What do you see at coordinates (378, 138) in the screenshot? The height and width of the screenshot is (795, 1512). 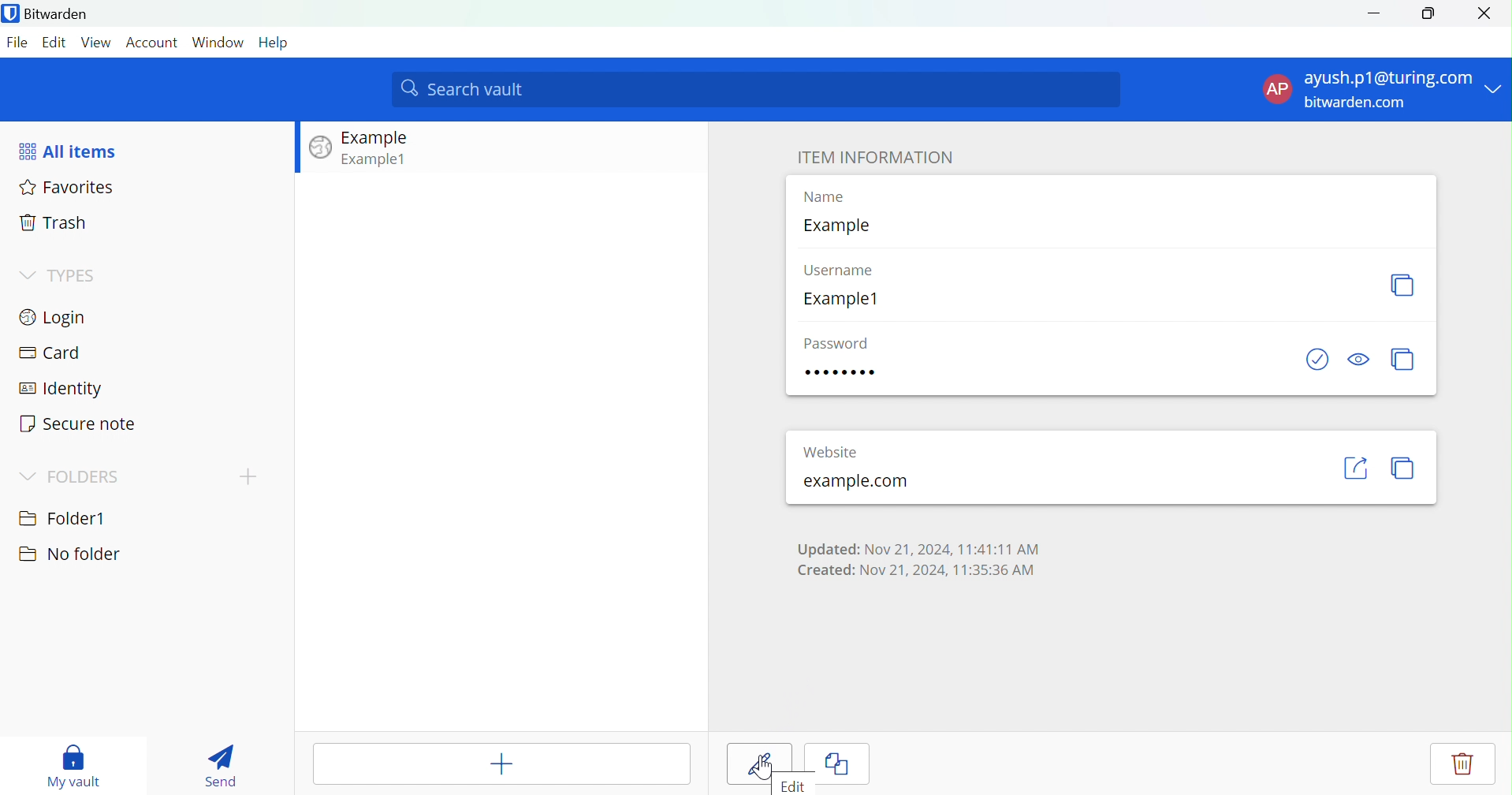 I see `Example` at bounding box center [378, 138].